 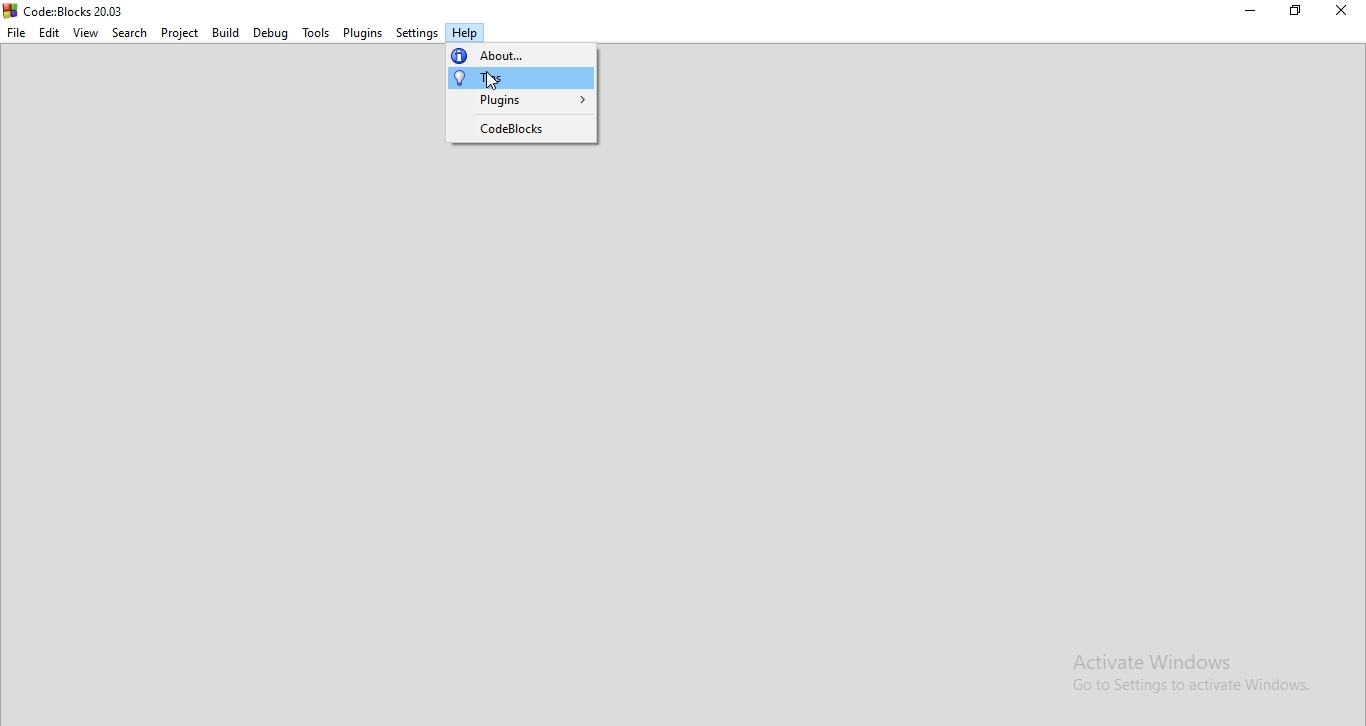 I want to click on Tools , so click(x=314, y=33).